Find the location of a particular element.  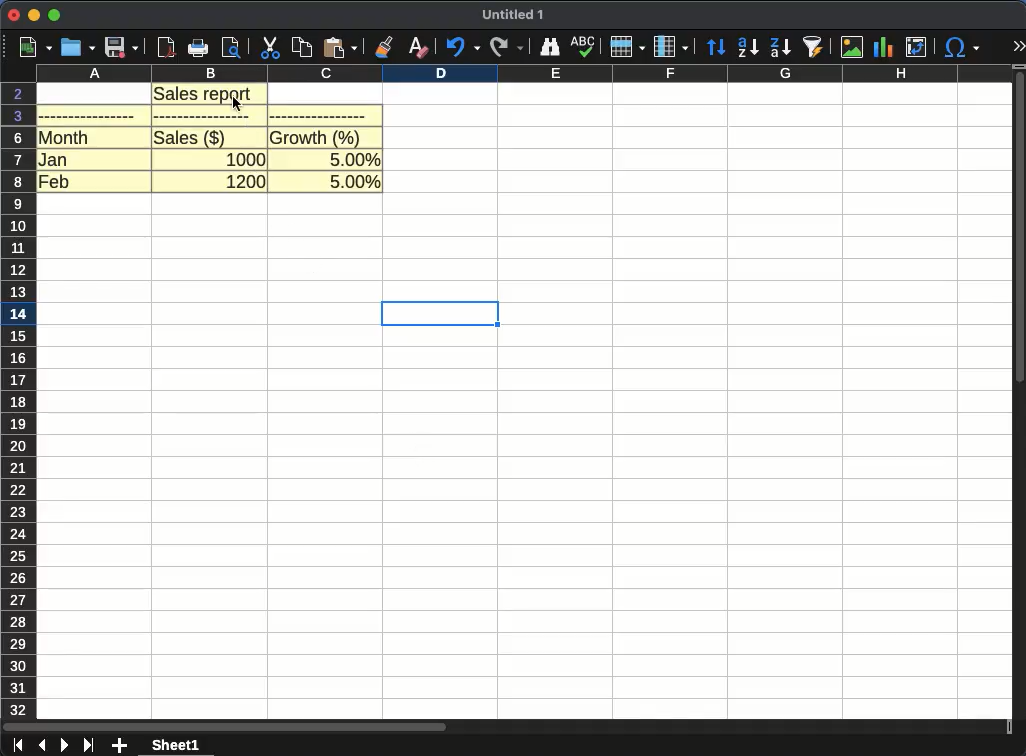

redo is located at coordinates (507, 48).